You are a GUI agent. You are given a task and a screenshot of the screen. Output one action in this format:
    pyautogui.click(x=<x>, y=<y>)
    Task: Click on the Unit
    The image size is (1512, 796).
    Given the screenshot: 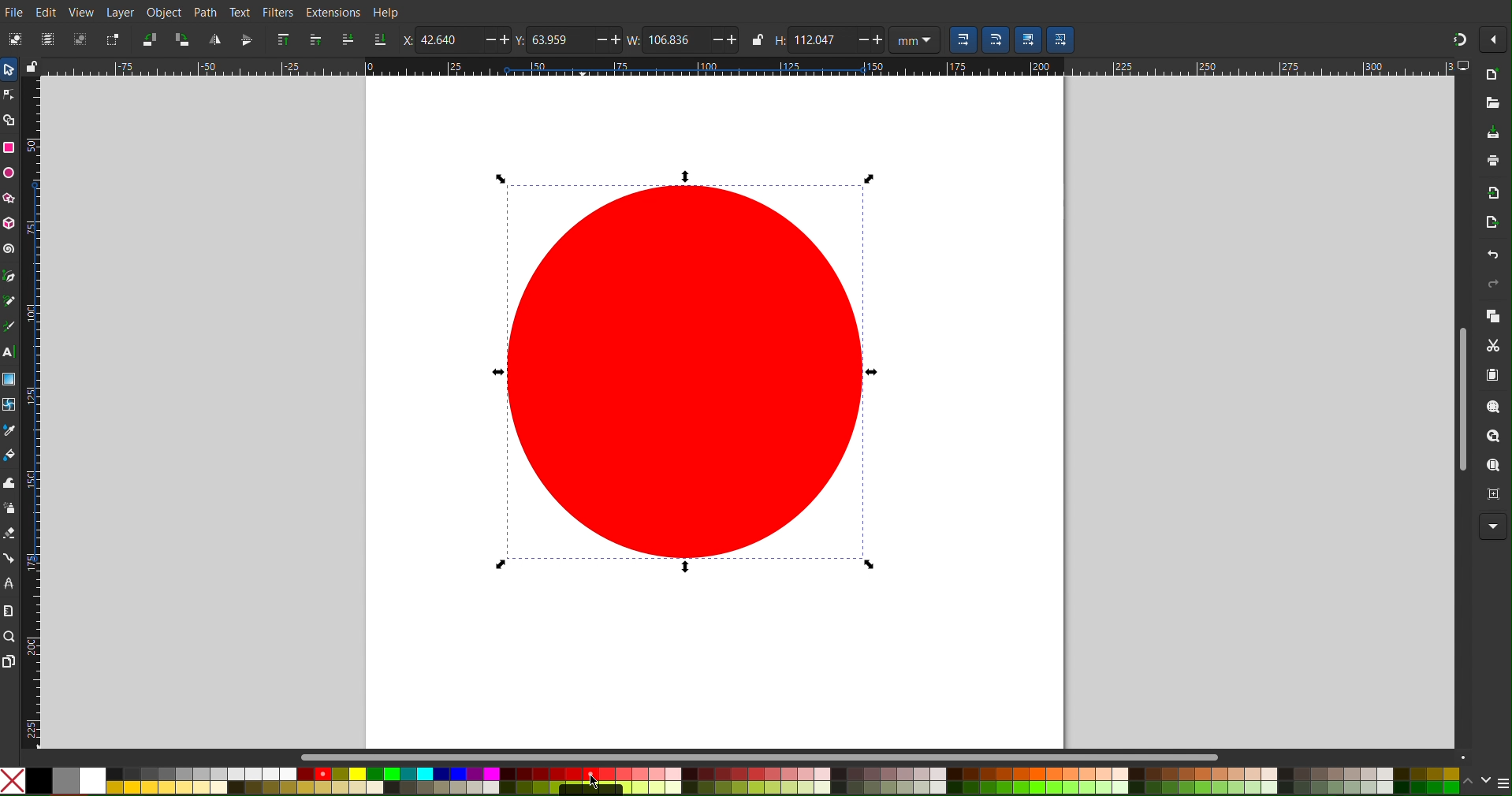 What is the action you would take?
    pyautogui.click(x=914, y=39)
    